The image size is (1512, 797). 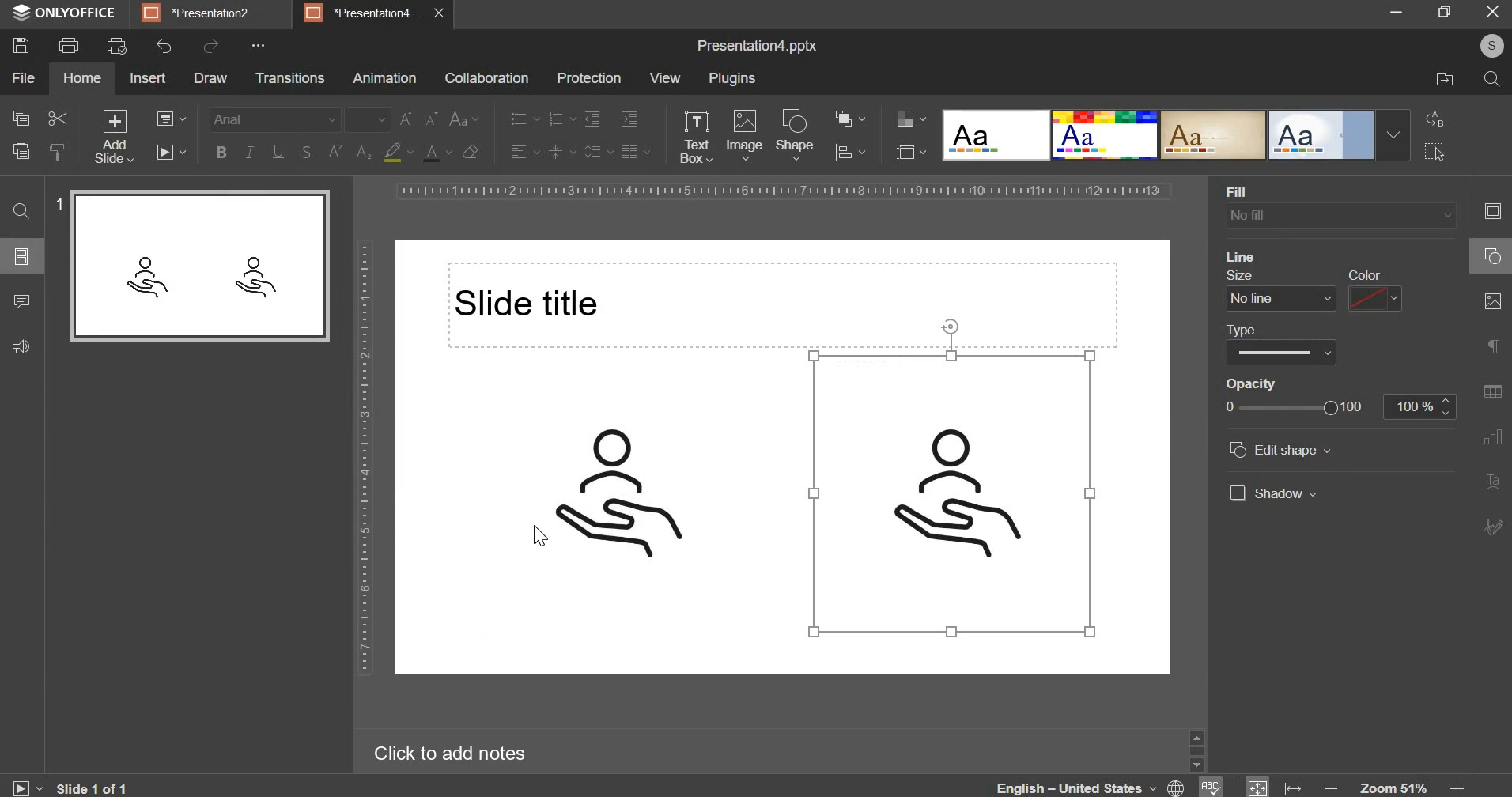 I want to click on bullets, so click(x=524, y=119).